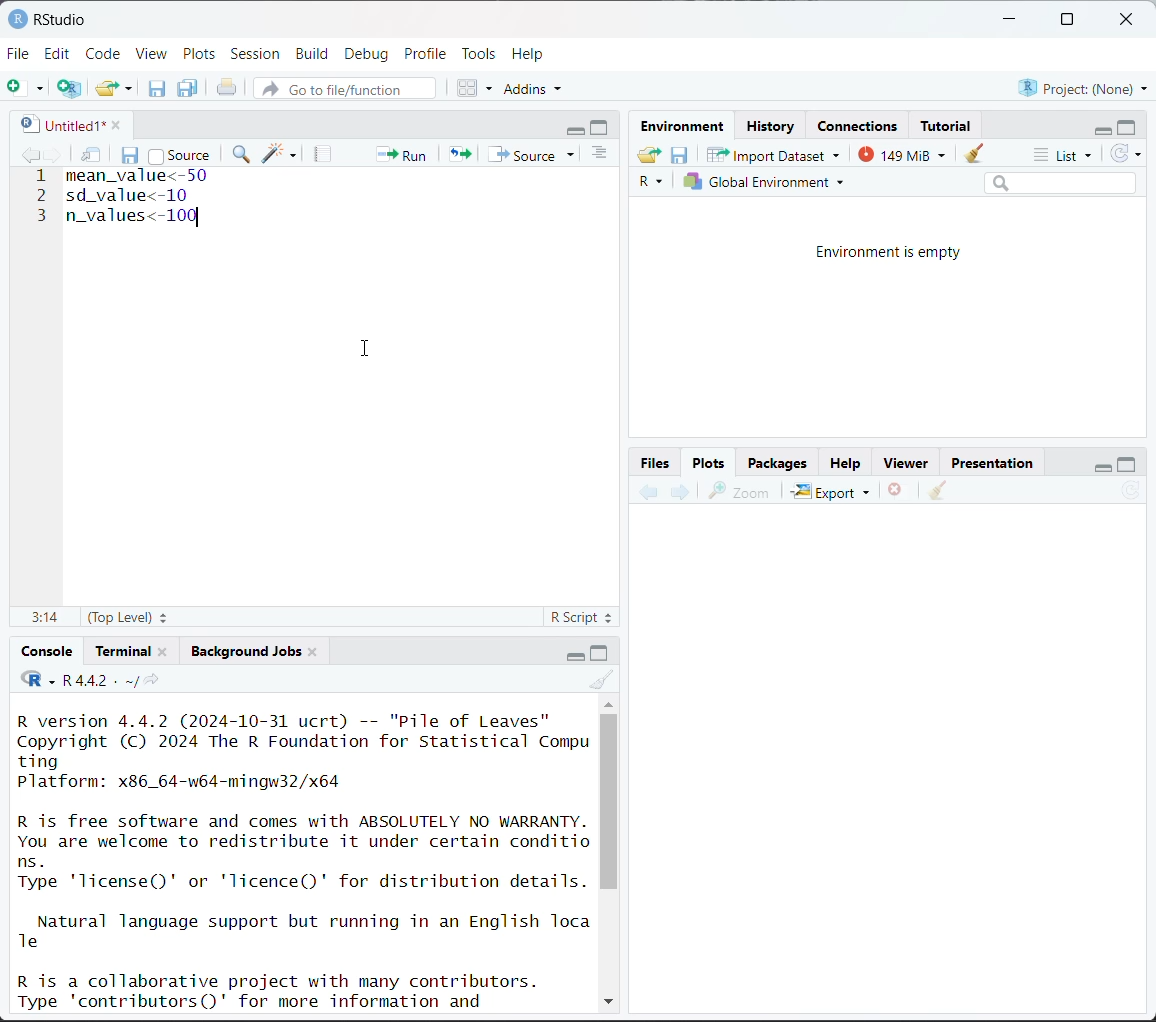 Image resolution: width=1156 pixels, height=1022 pixels. I want to click on Code, so click(105, 52).